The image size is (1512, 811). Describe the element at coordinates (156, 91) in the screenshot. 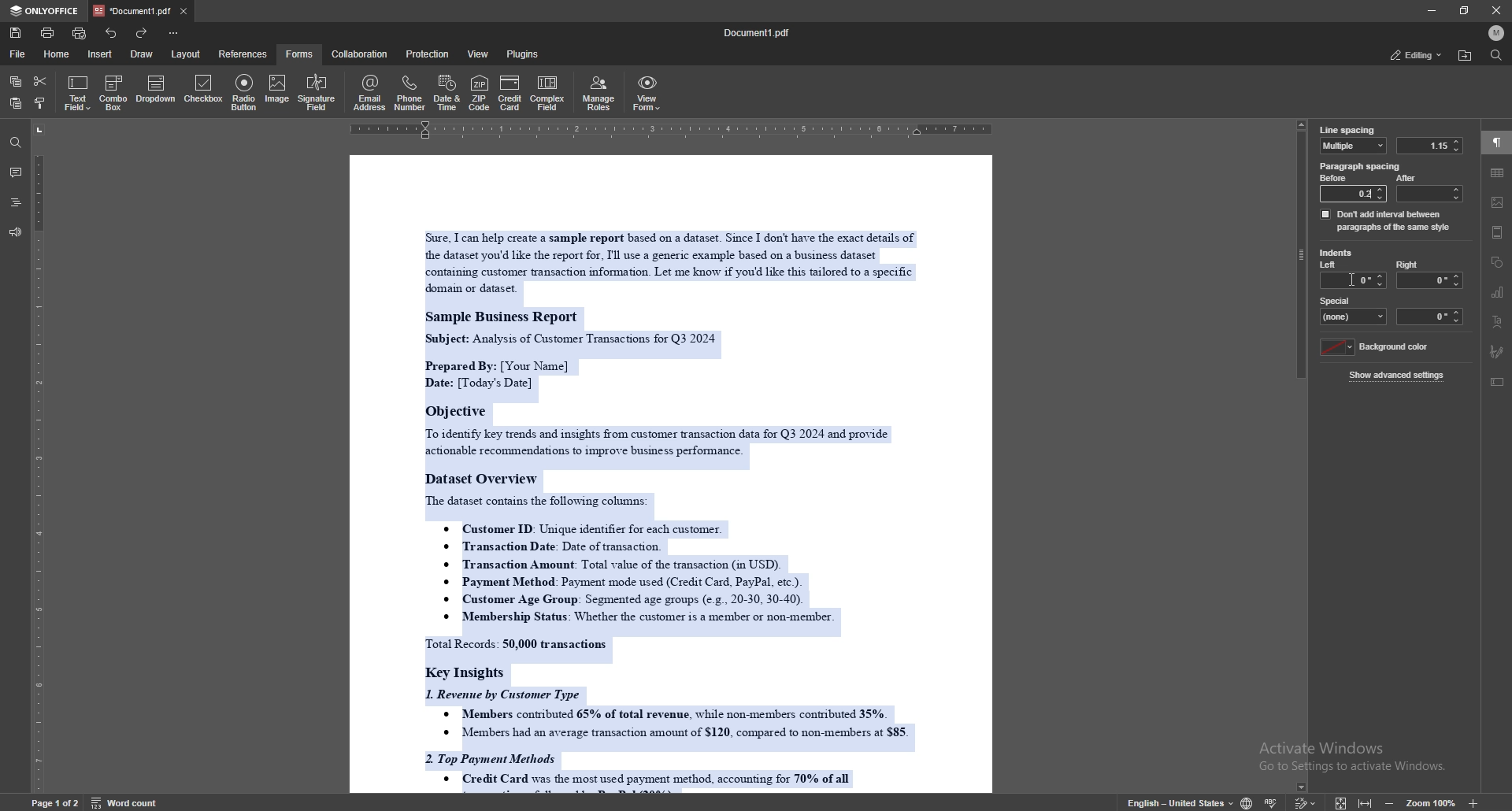

I see `dropdown` at that location.